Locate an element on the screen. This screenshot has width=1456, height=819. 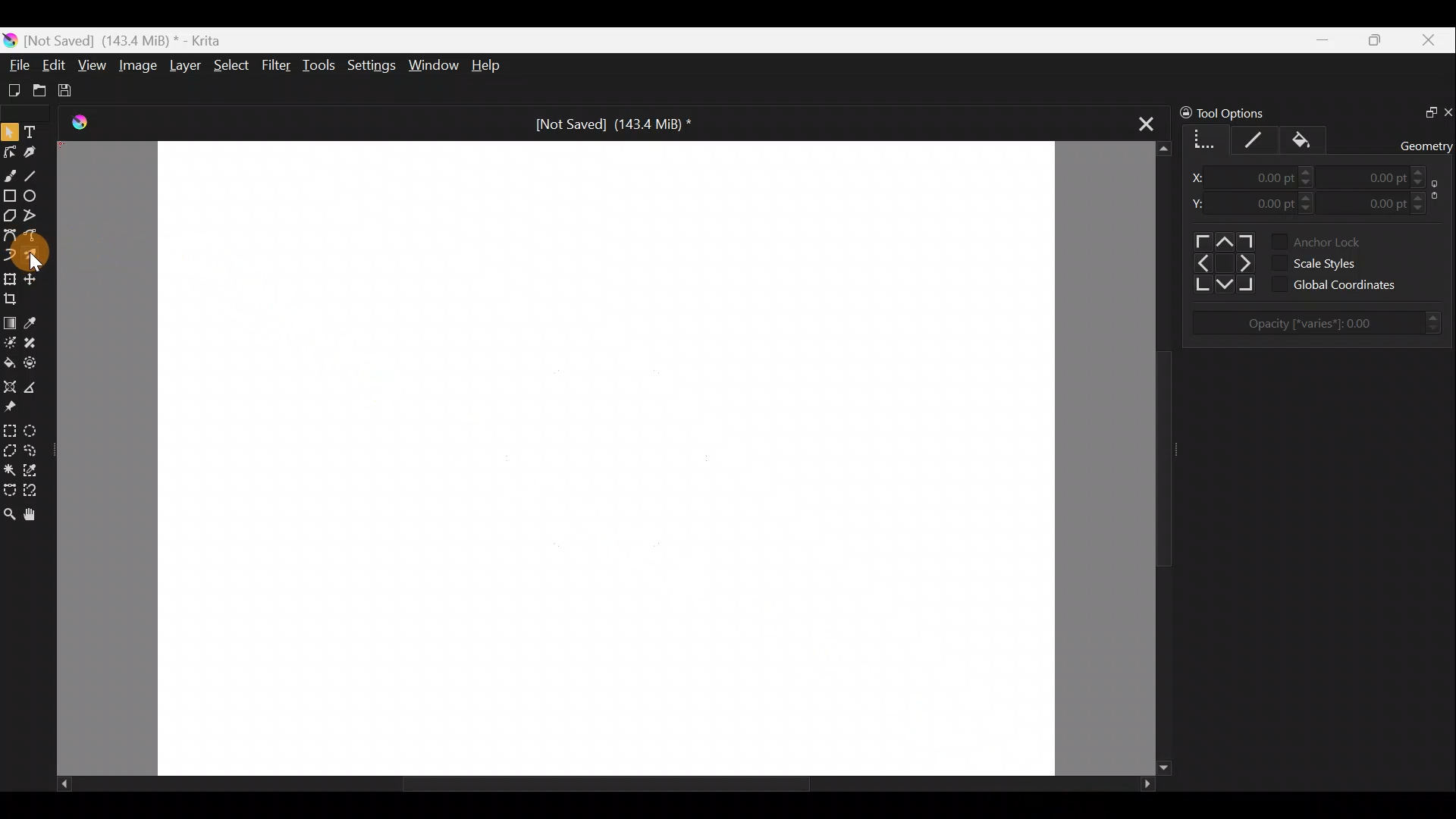
File is located at coordinates (14, 67).